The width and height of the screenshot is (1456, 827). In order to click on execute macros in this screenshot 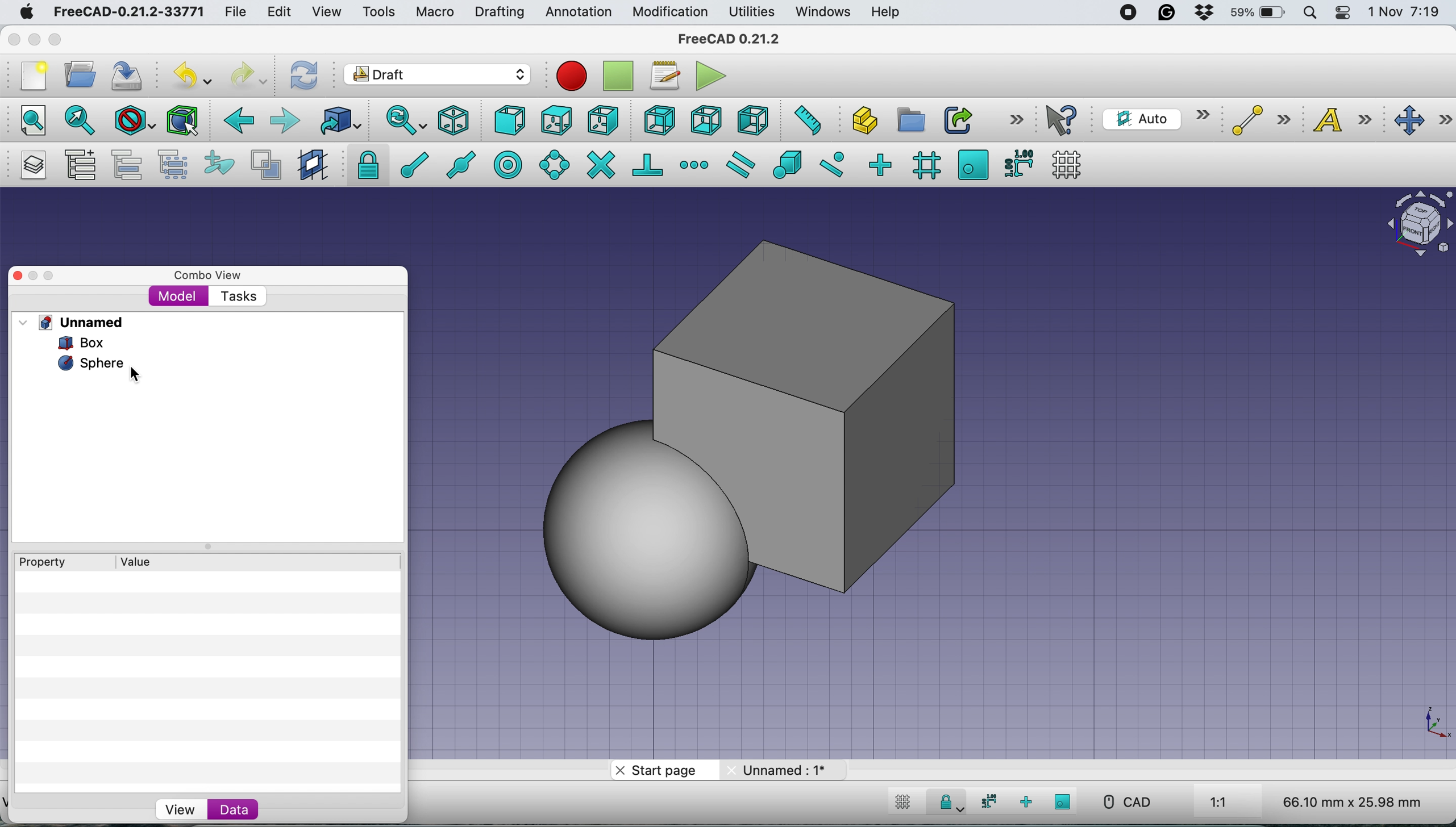, I will do `click(712, 76)`.